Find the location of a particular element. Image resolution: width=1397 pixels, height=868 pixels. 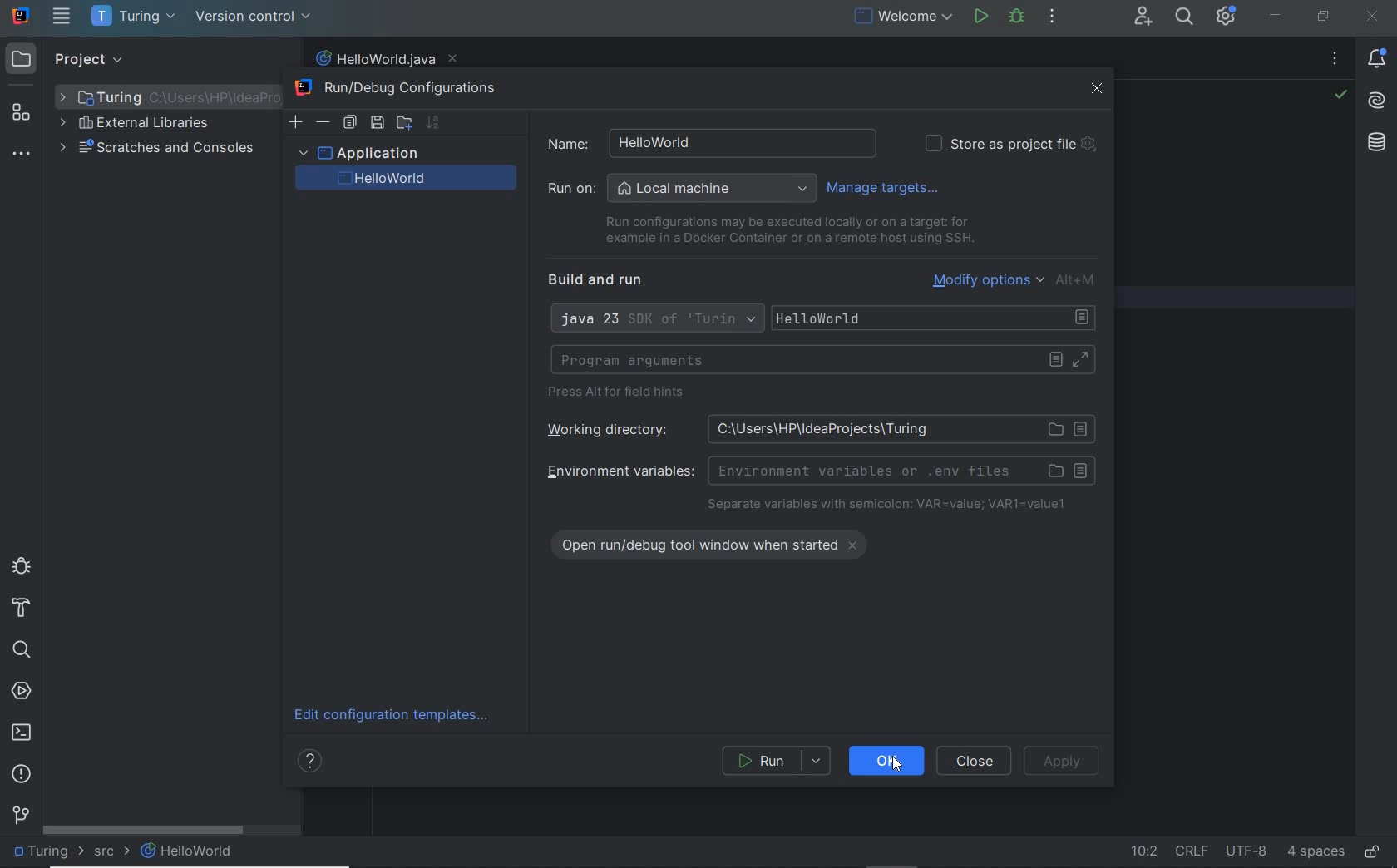

Environment cariables is located at coordinates (818, 470).